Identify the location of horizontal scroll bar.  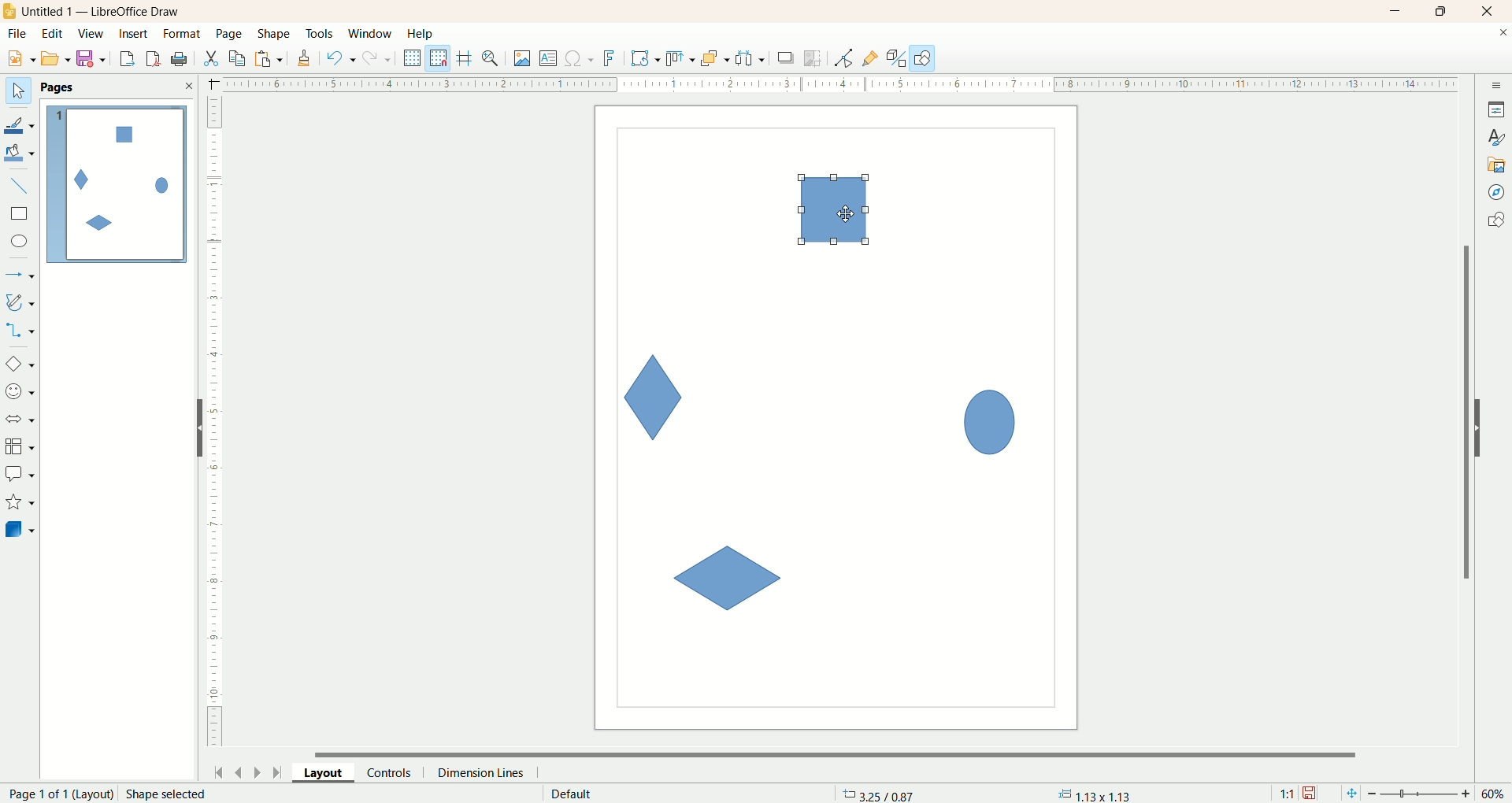
(845, 753).